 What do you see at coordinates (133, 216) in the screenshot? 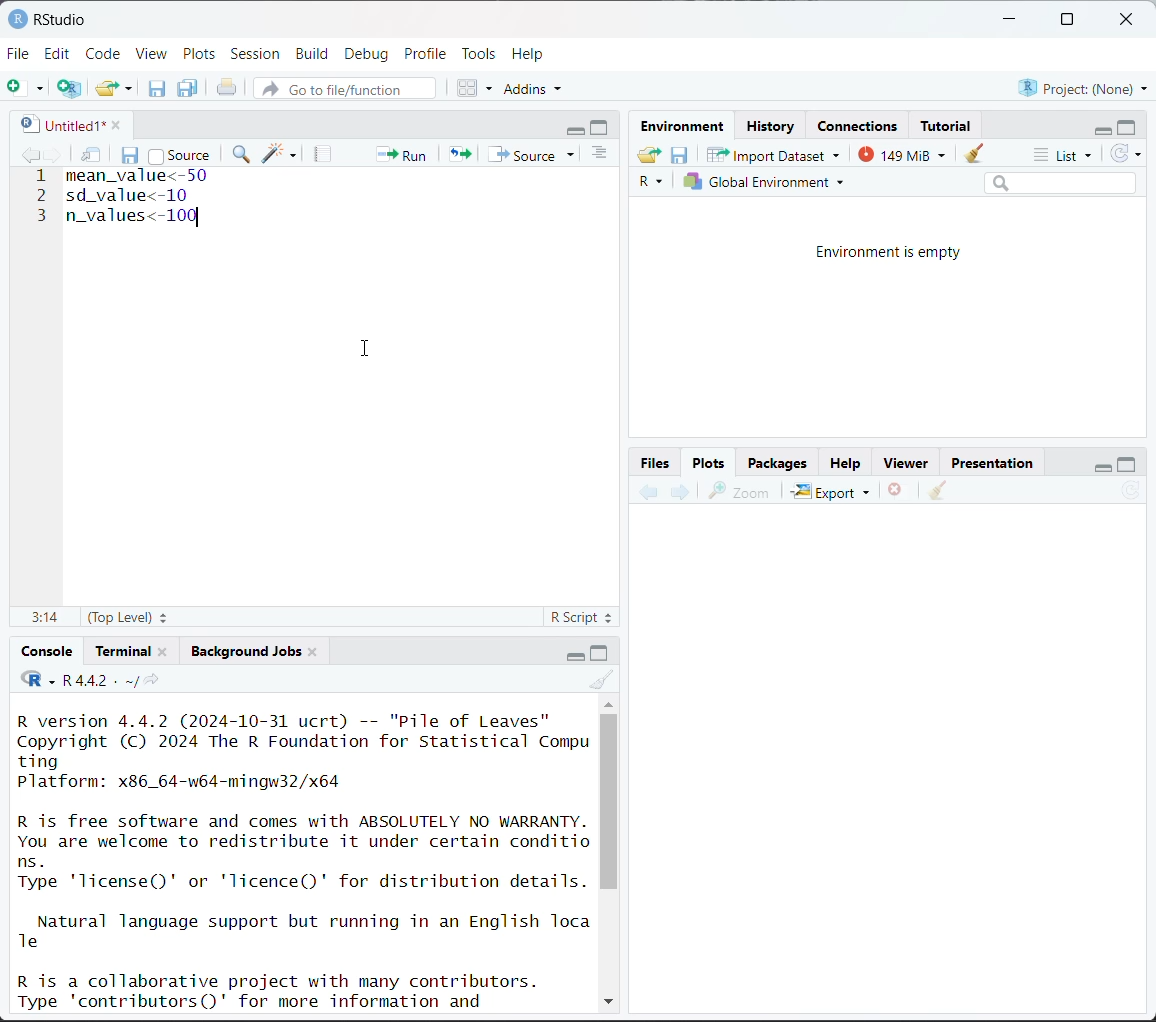
I see `n_values<-100` at bounding box center [133, 216].